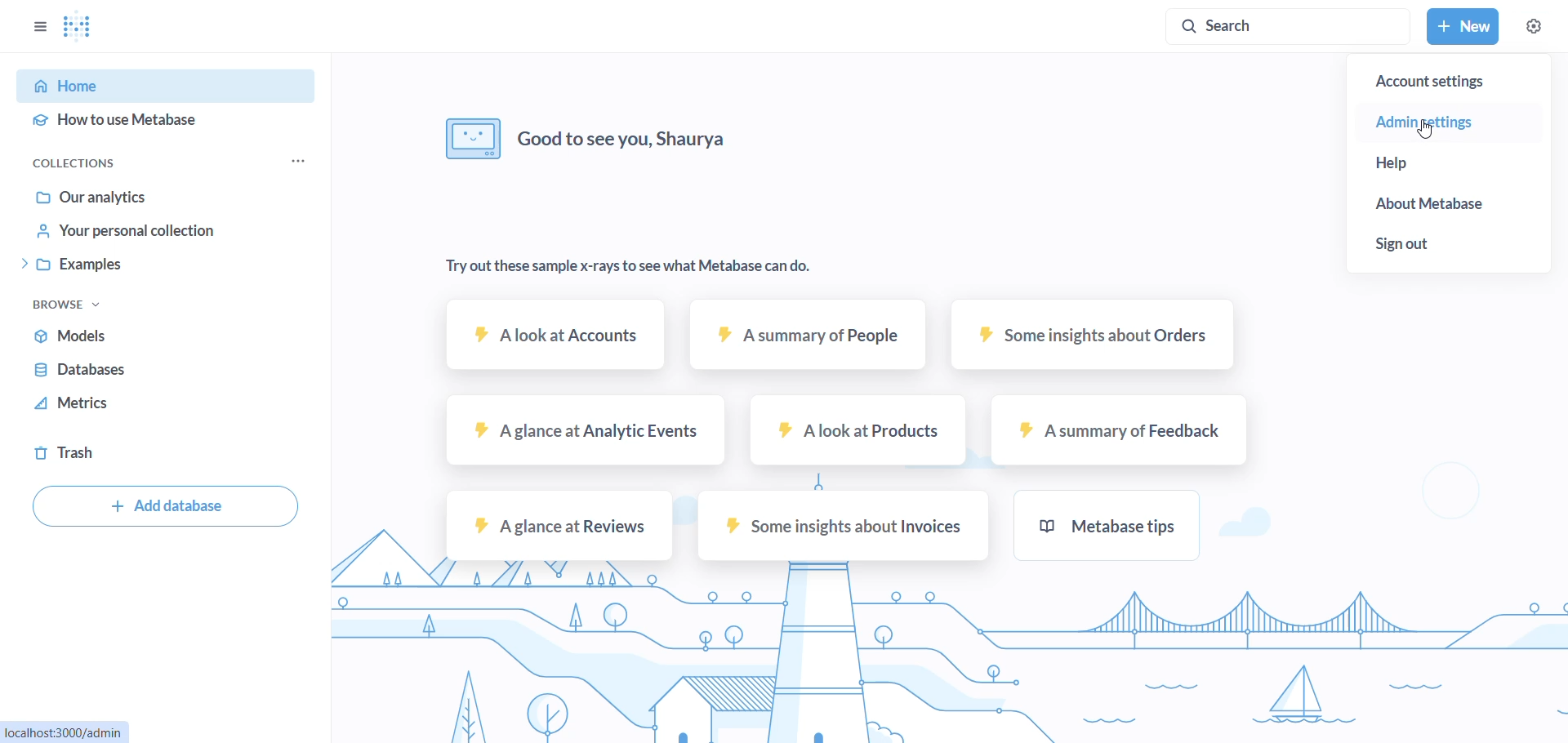 The image size is (1568, 743). What do you see at coordinates (154, 88) in the screenshot?
I see `home` at bounding box center [154, 88].